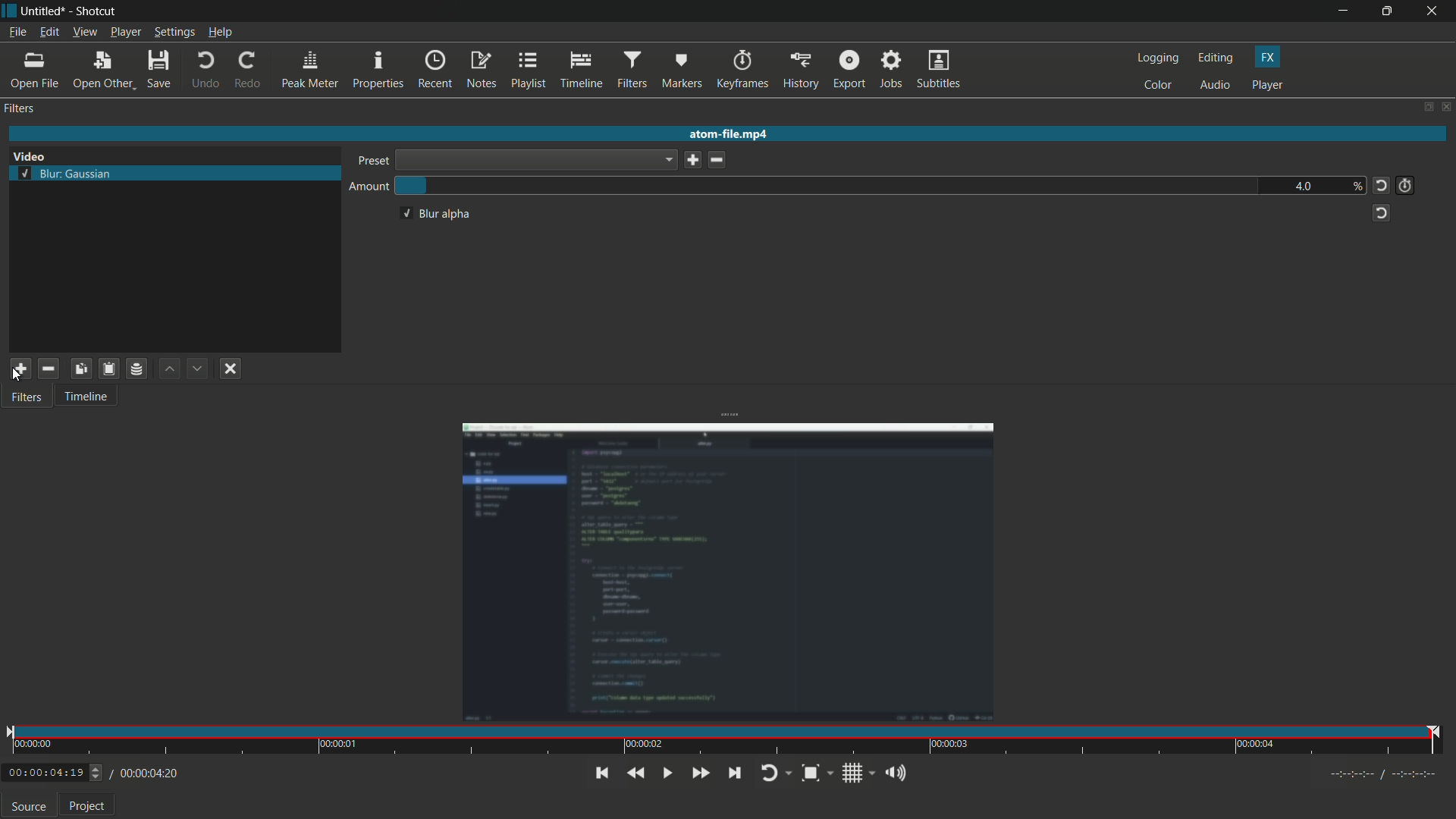  What do you see at coordinates (1348, 11) in the screenshot?
I see `minimize` at bounding box center [1348, 11].